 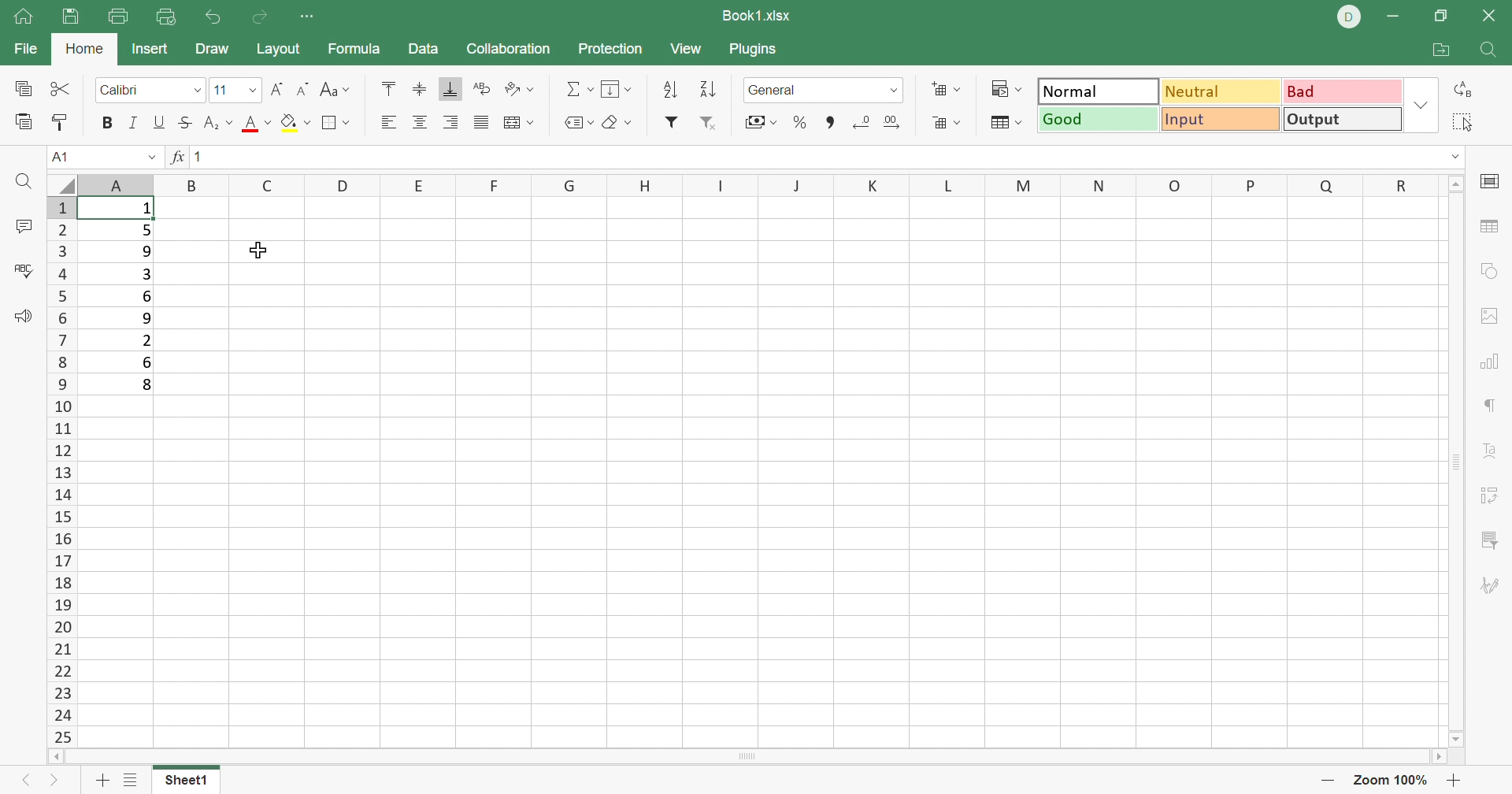 I want to click on Increment font size, so click(x=275, y=91).